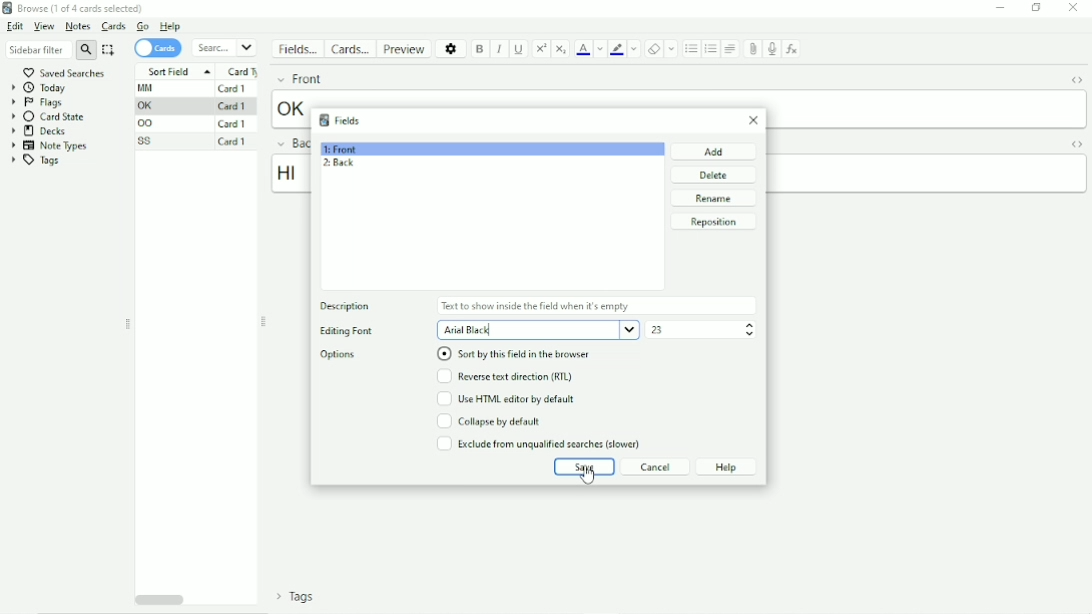 The image size is (1092, 614). Describe the element at coordinates (346, 307) in the screenshot. I see `Description` at that location.